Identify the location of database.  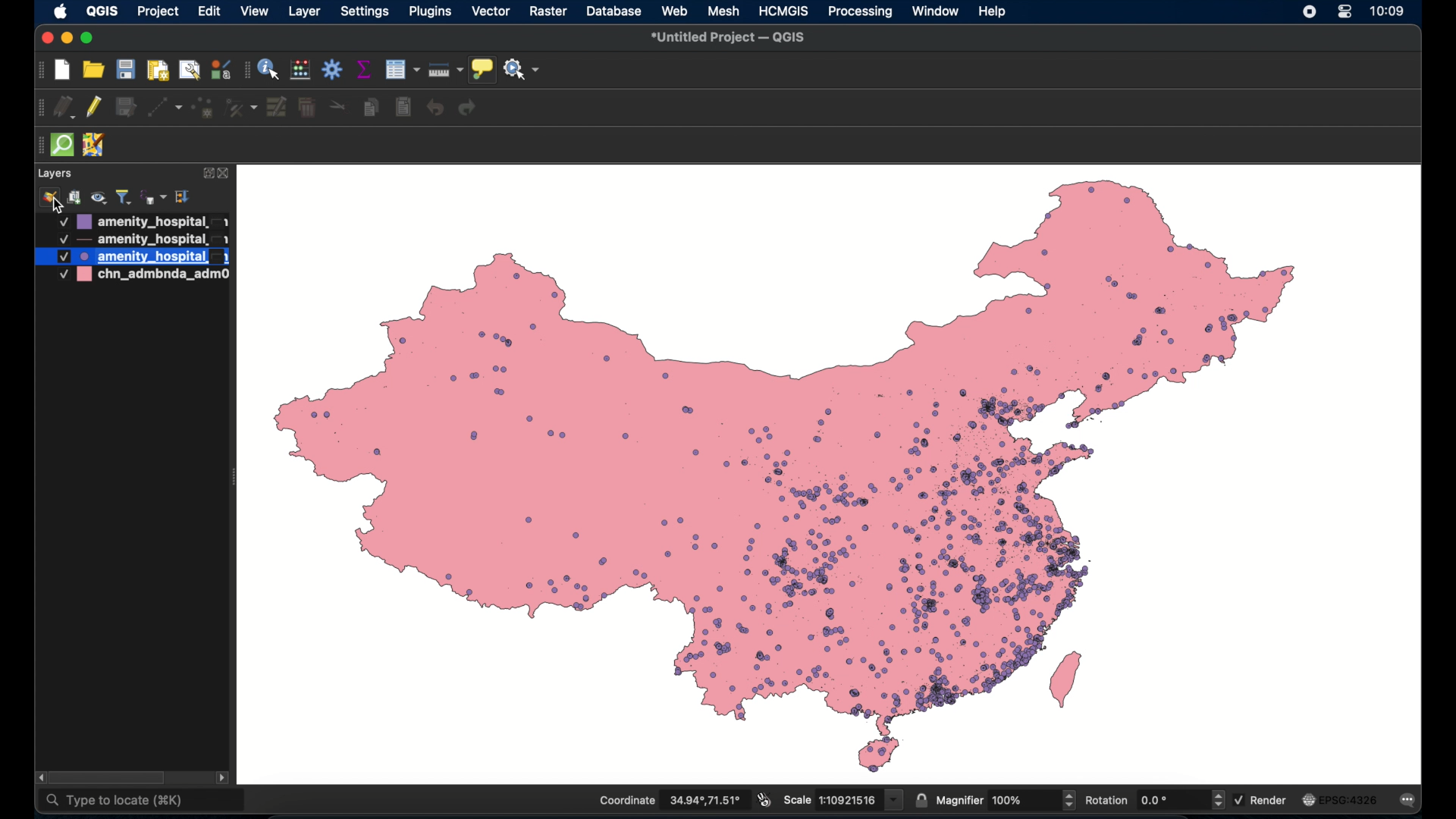
(614, 11).